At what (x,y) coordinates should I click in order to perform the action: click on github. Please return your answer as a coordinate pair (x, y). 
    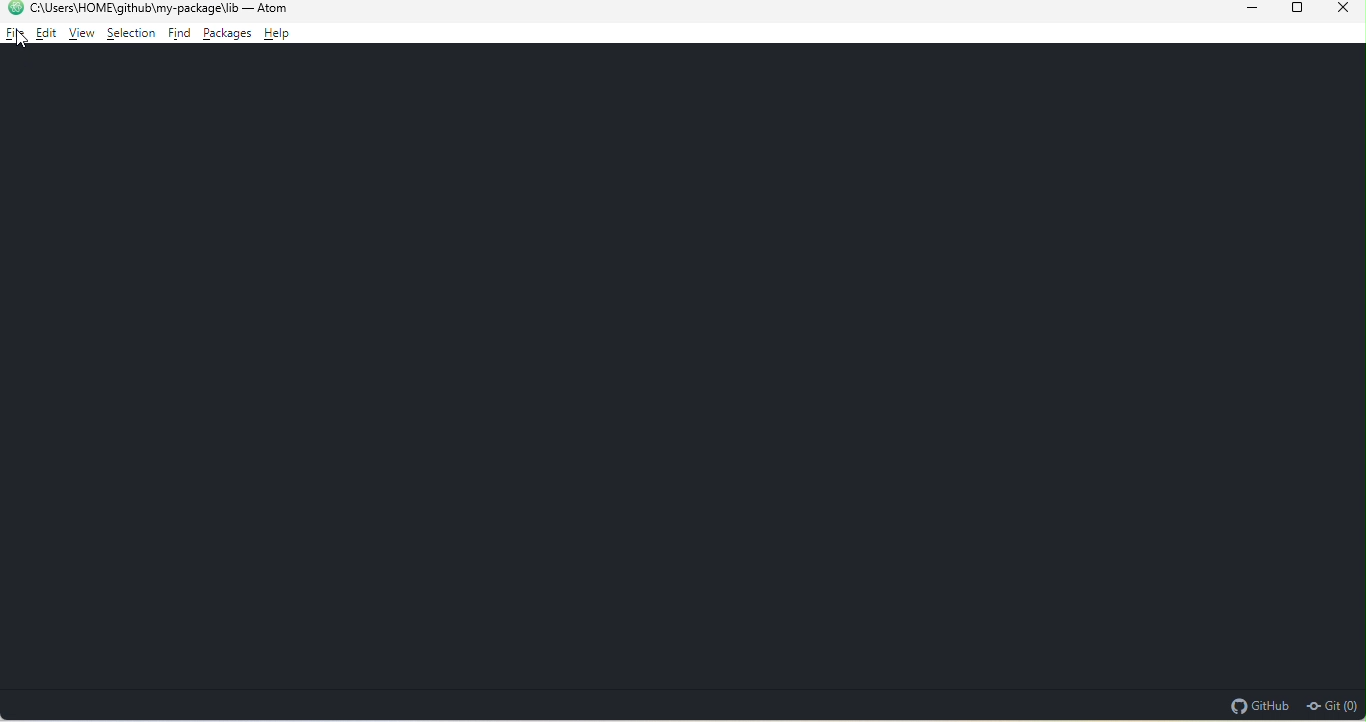
    Looking at the image, I should click on (1258, 705).